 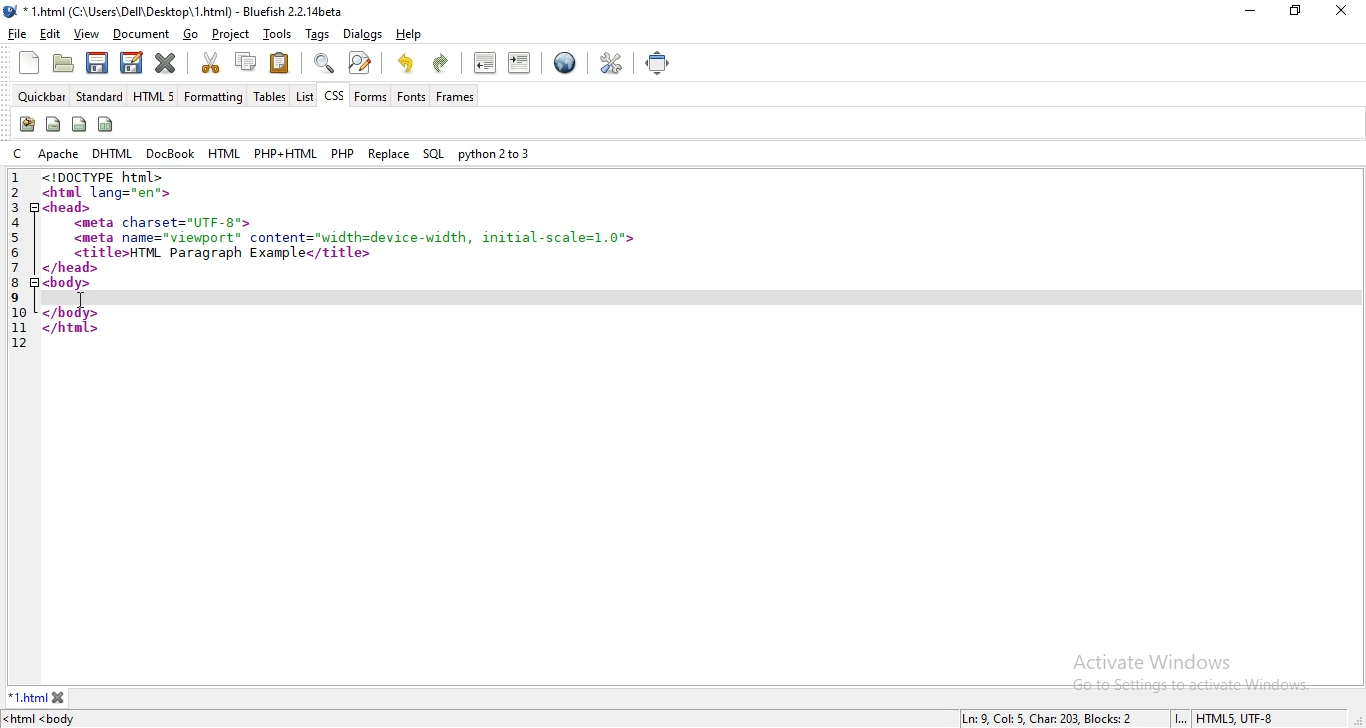 What do you see at coordinates (69, 207) in the screenshot?
I see `<head>` at bounding box center [69, 207].